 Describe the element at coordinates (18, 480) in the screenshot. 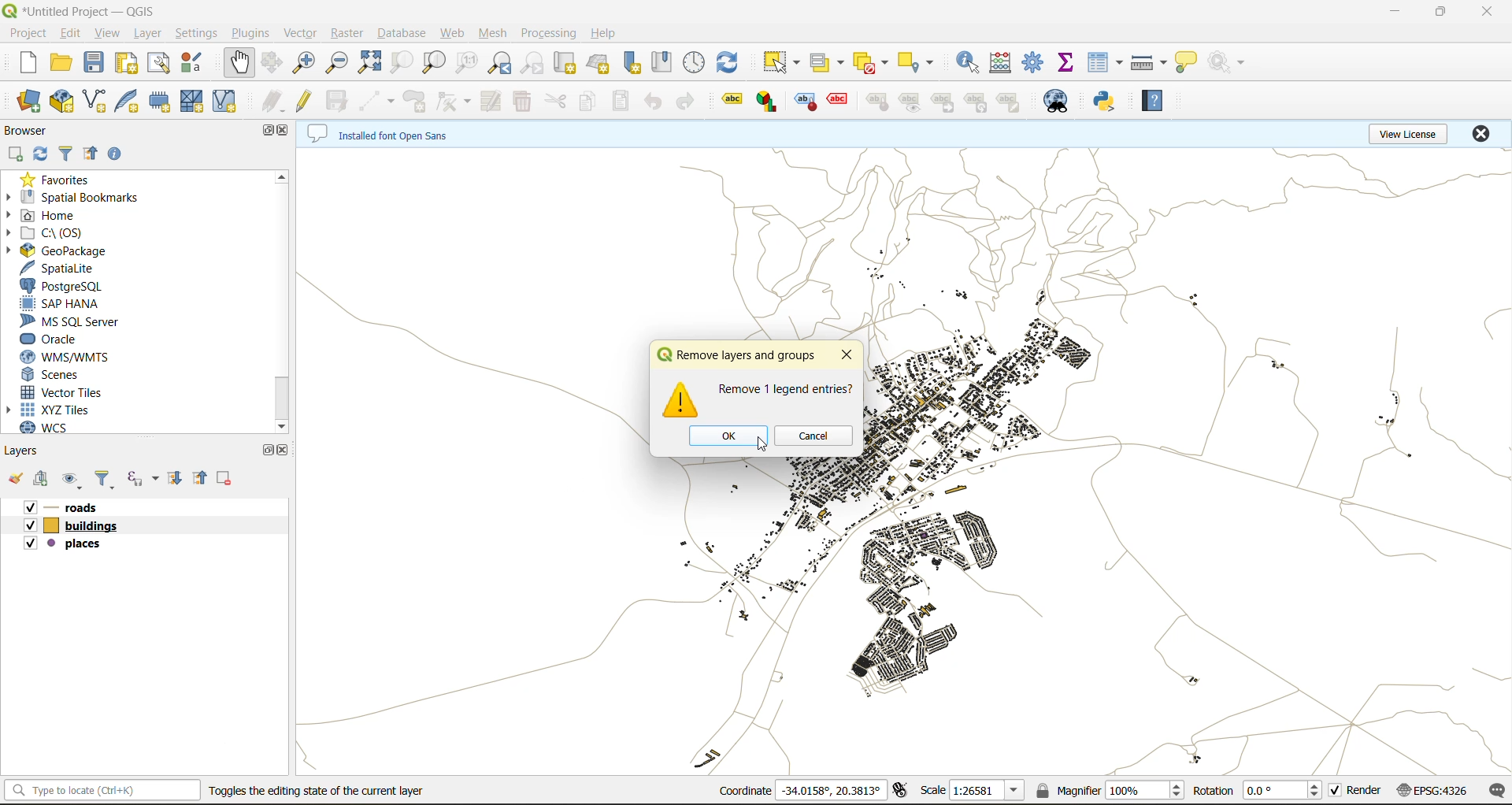

I see `open` at that location.